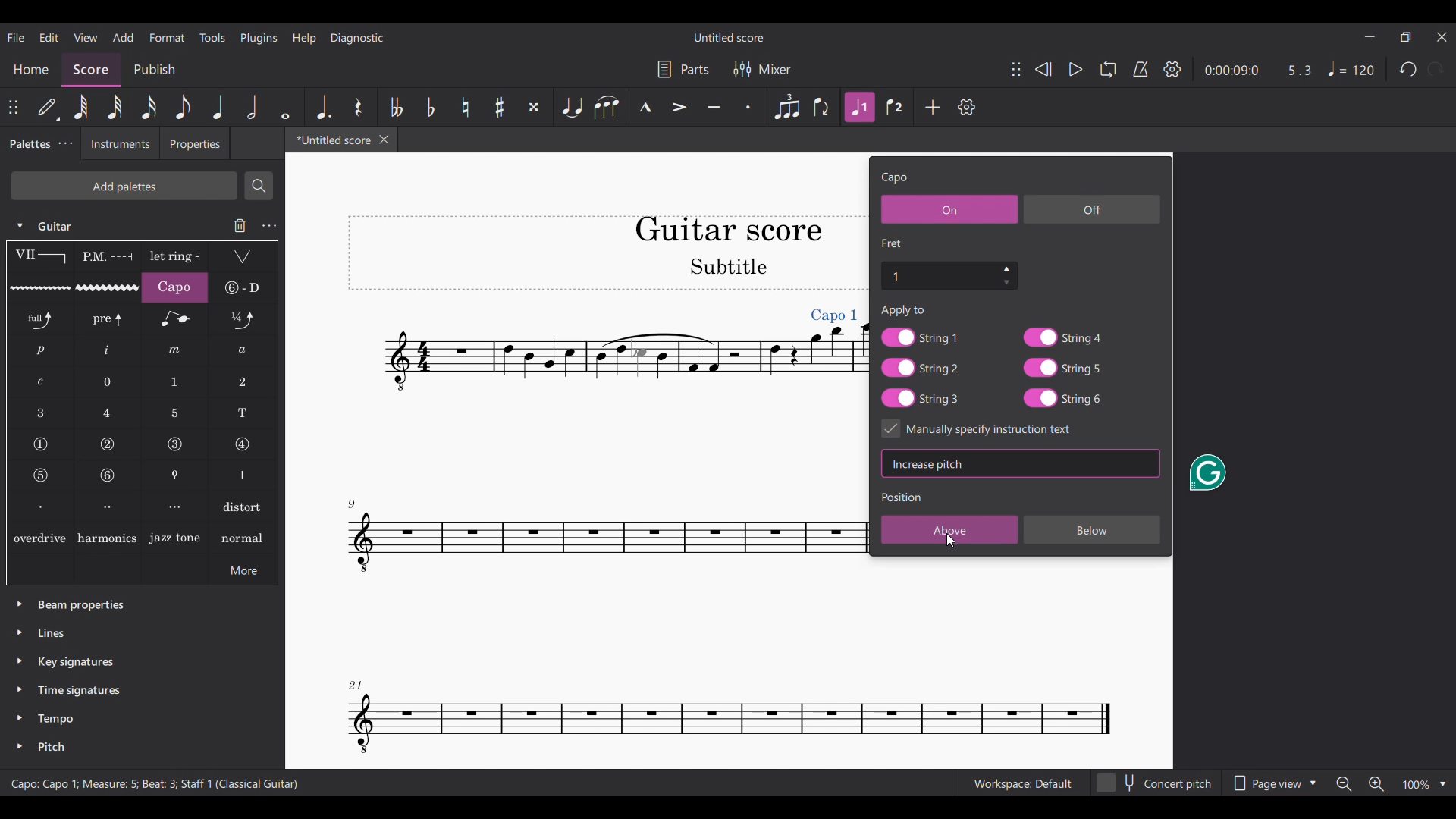  Describe the element at coordinates (174, 350) in the screenshot. I see `RH guitar fingering m` at that location.